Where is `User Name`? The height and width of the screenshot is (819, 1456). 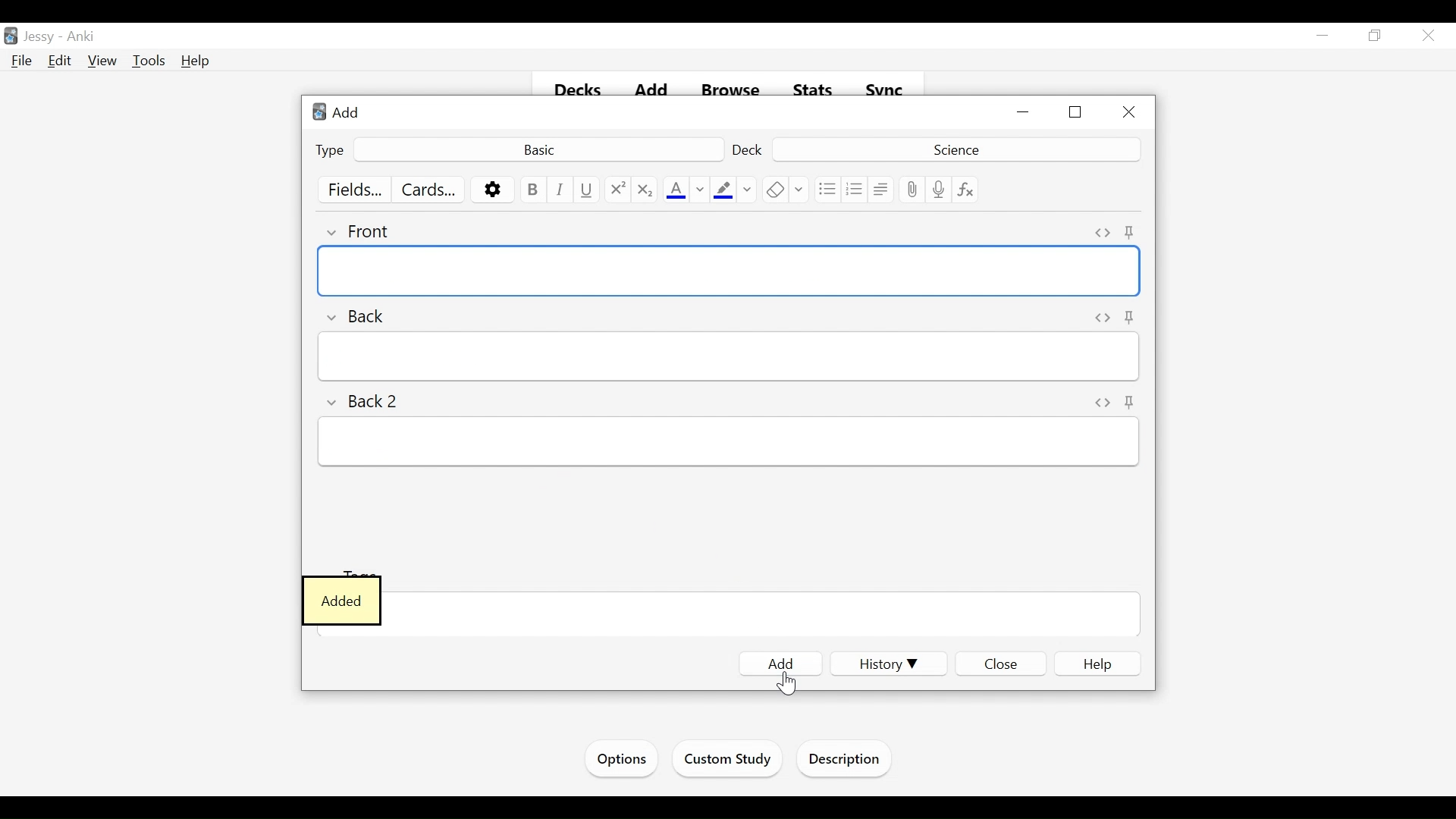 User Name is located at coordinates (42, 37).